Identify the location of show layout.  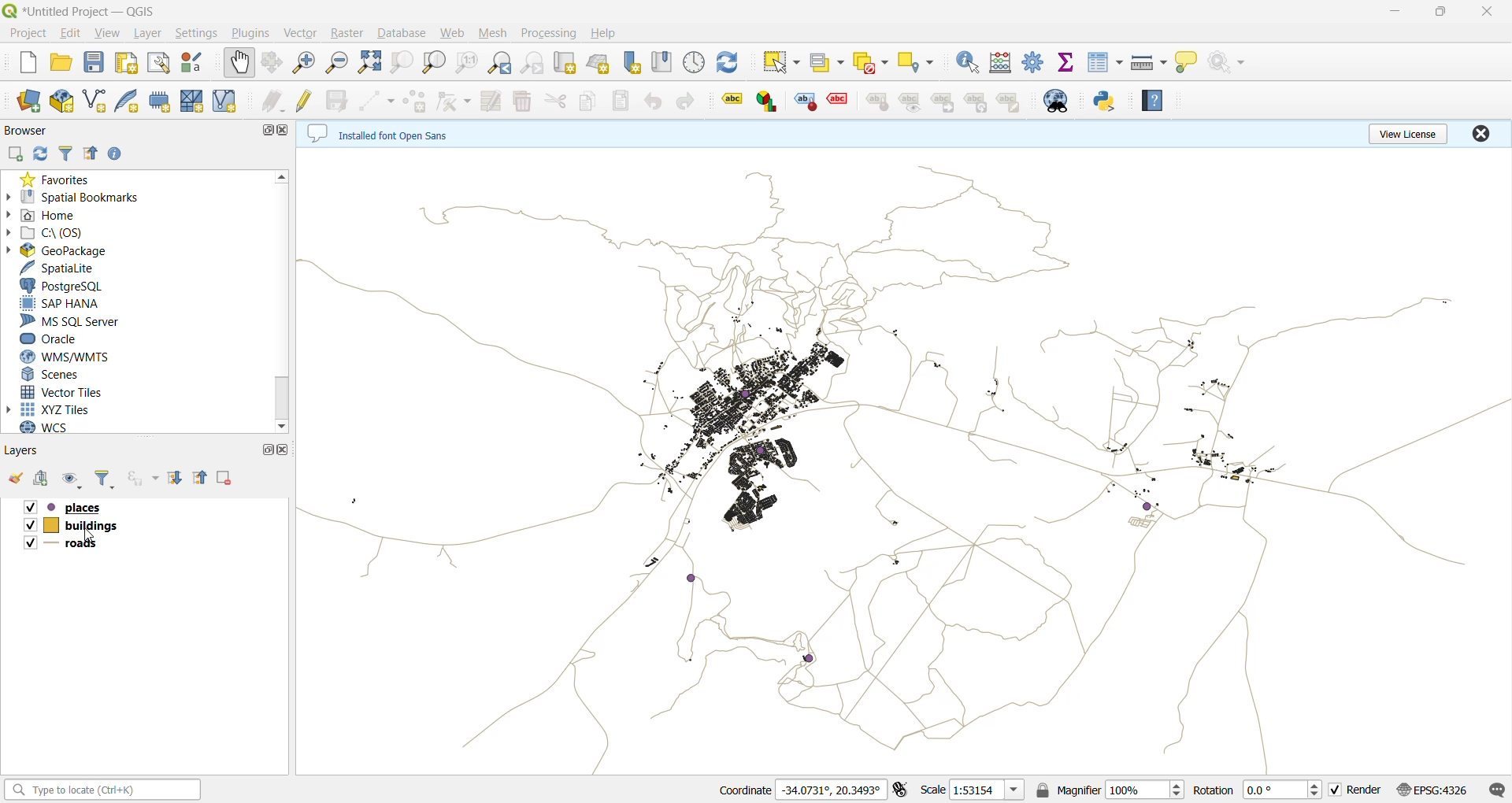
(157, 65).